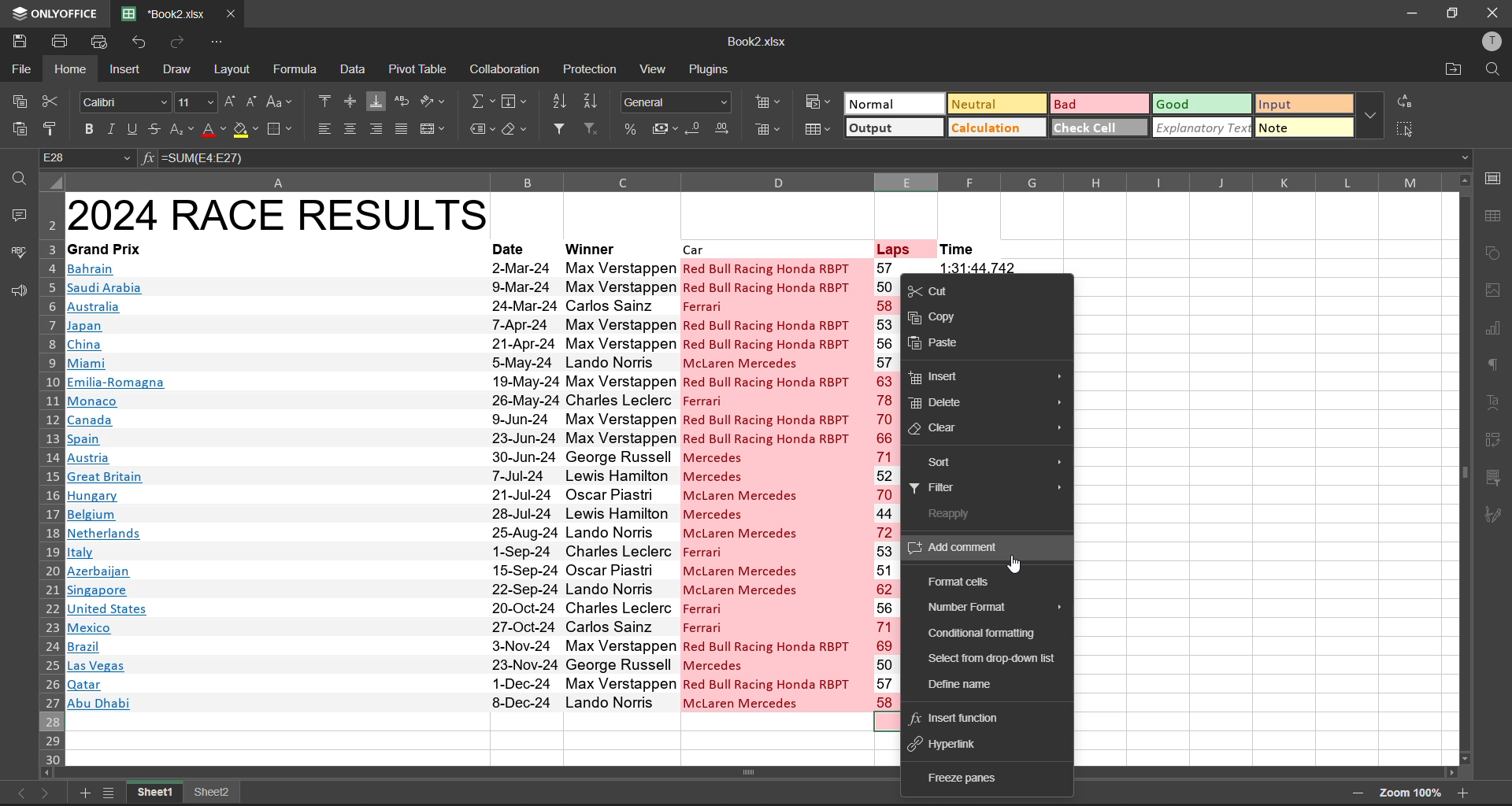 The image size is (1512, 806). Describe the element at coordinates (591, 70) in the screenshot. I see `protection` at that location.